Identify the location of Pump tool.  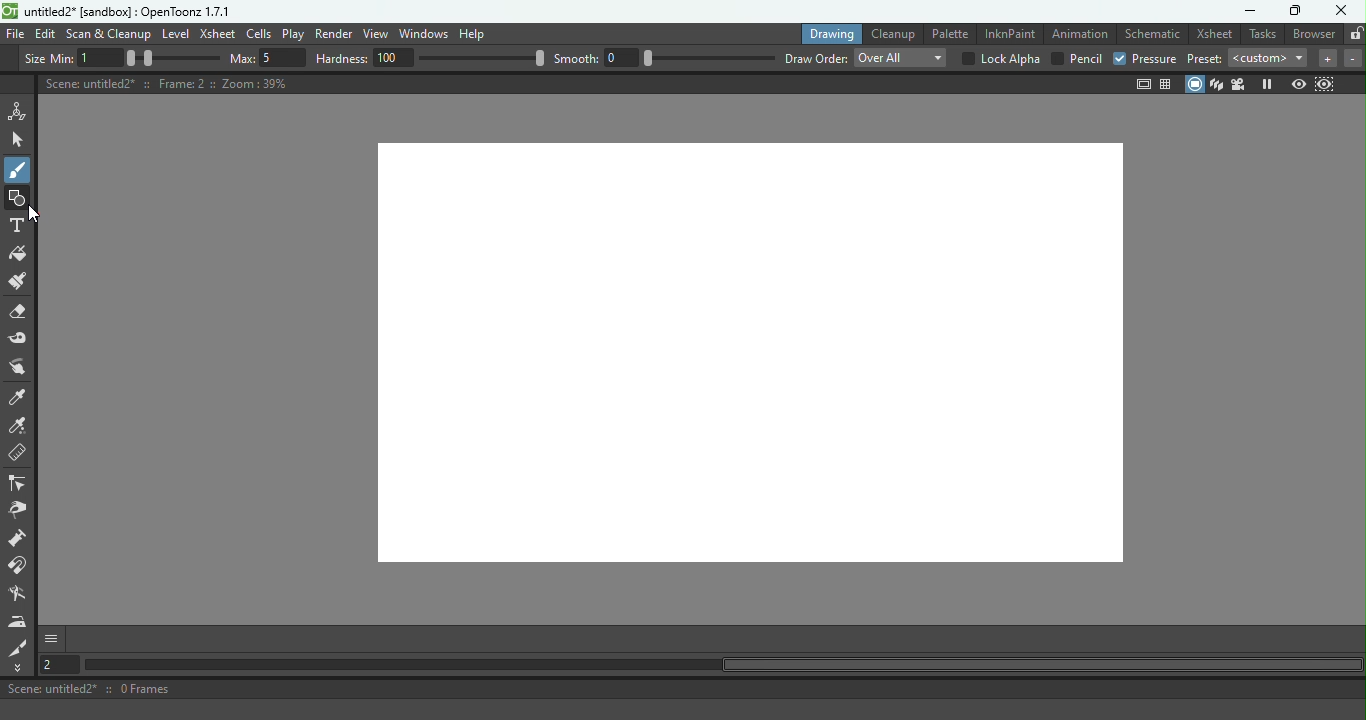
(19, 540).